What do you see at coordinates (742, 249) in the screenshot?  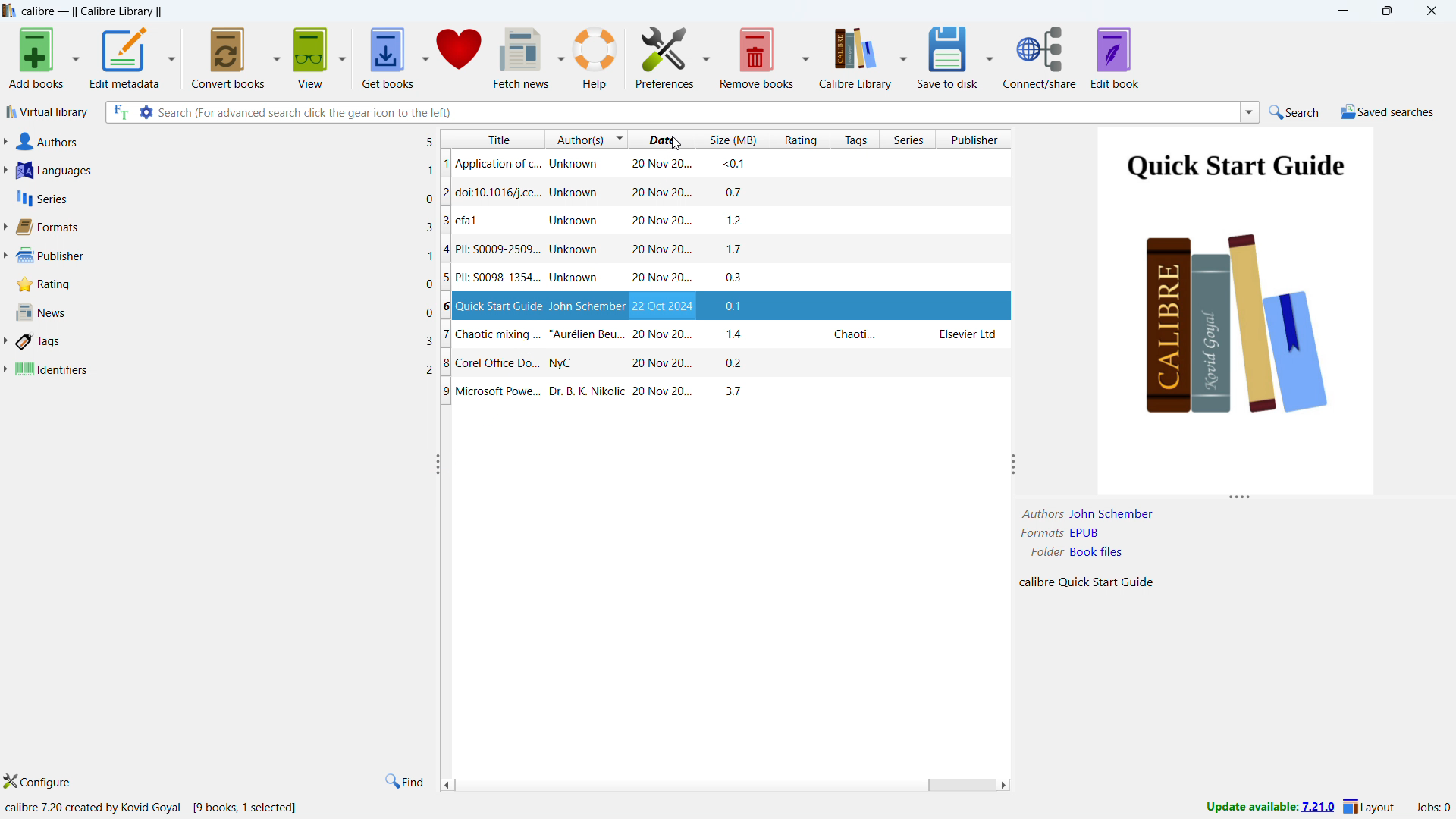 I see `1.7` at bounding box center [742, 249].